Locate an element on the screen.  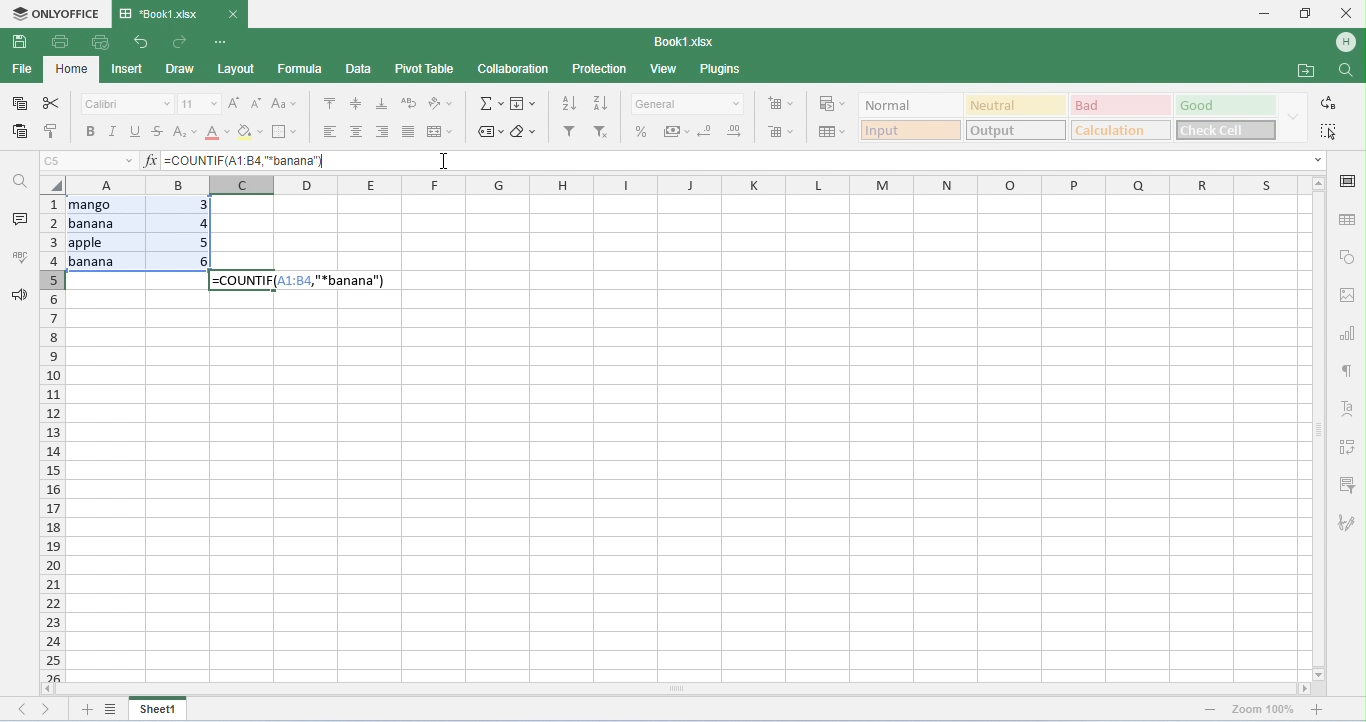
paragraph settings is located at coordinates (1351, 371).